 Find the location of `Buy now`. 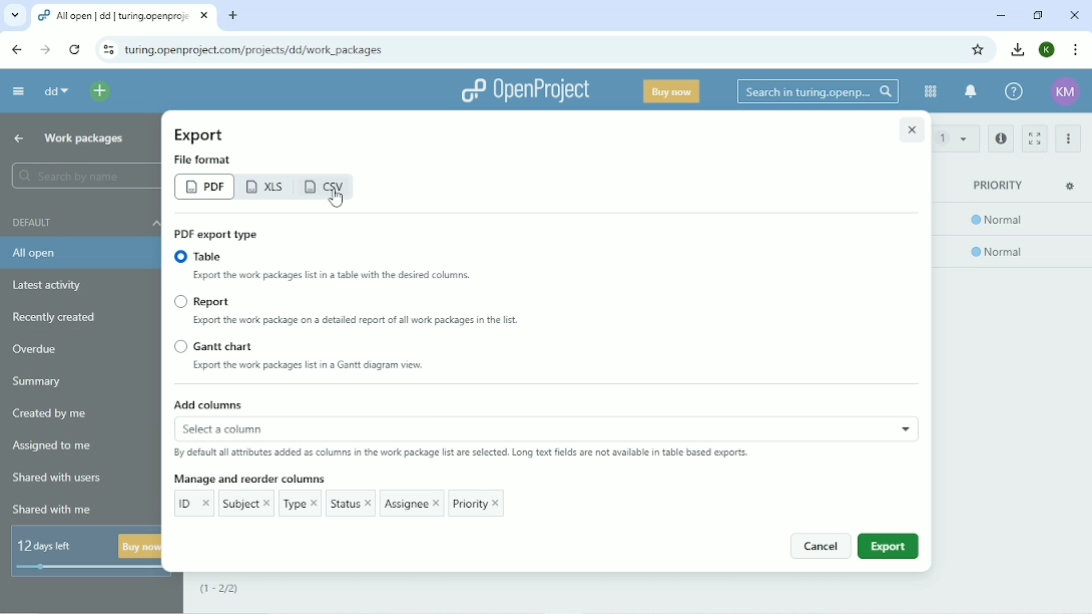

Buy now is located at coordinates (673, 91).